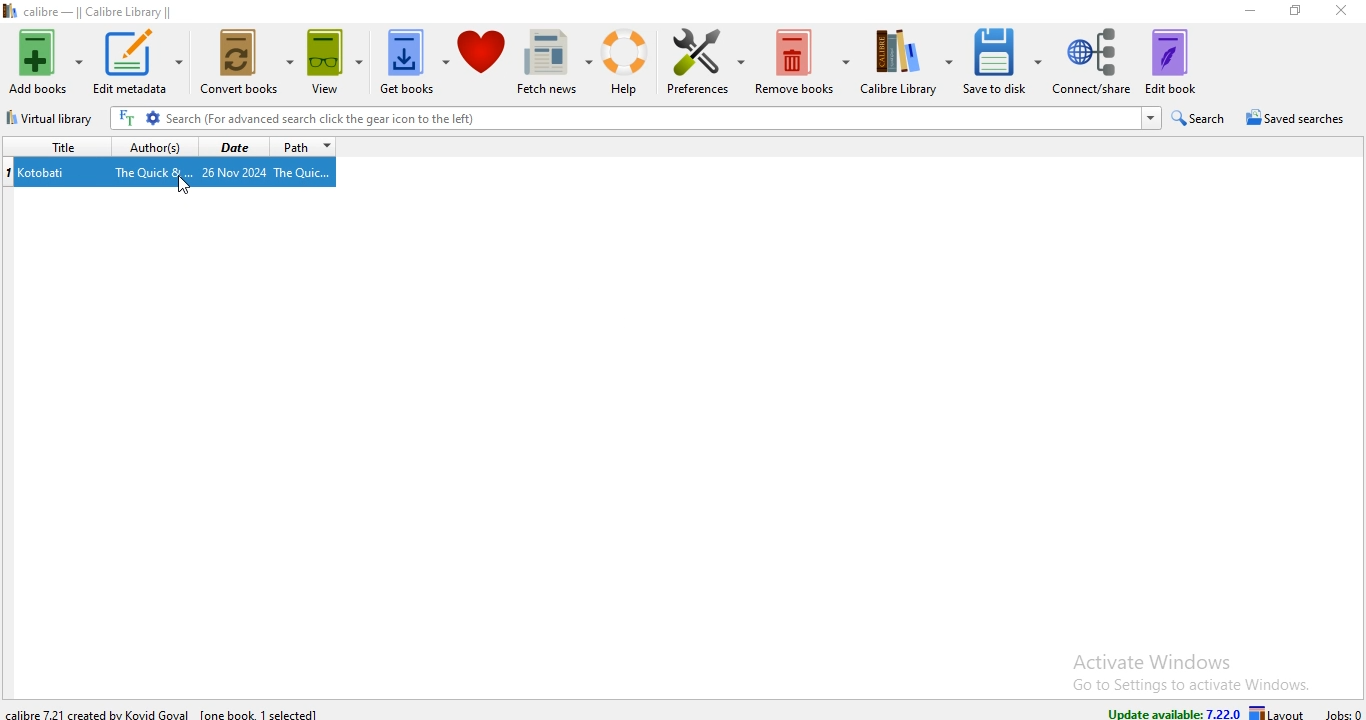 The width and height of the screenshot is (1366, 720). I want to click on search, so click(1199, 116).